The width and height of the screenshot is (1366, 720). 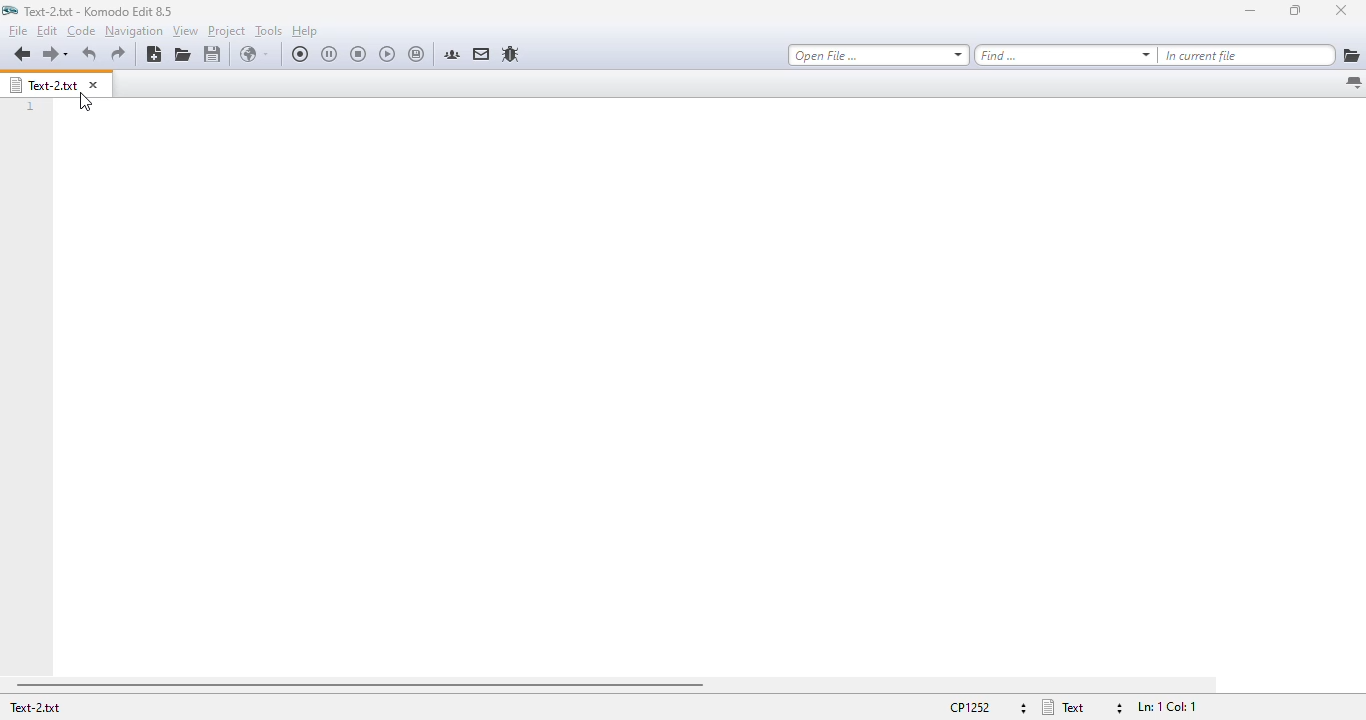 I want to click on cursor, so click(x=85, y=102).